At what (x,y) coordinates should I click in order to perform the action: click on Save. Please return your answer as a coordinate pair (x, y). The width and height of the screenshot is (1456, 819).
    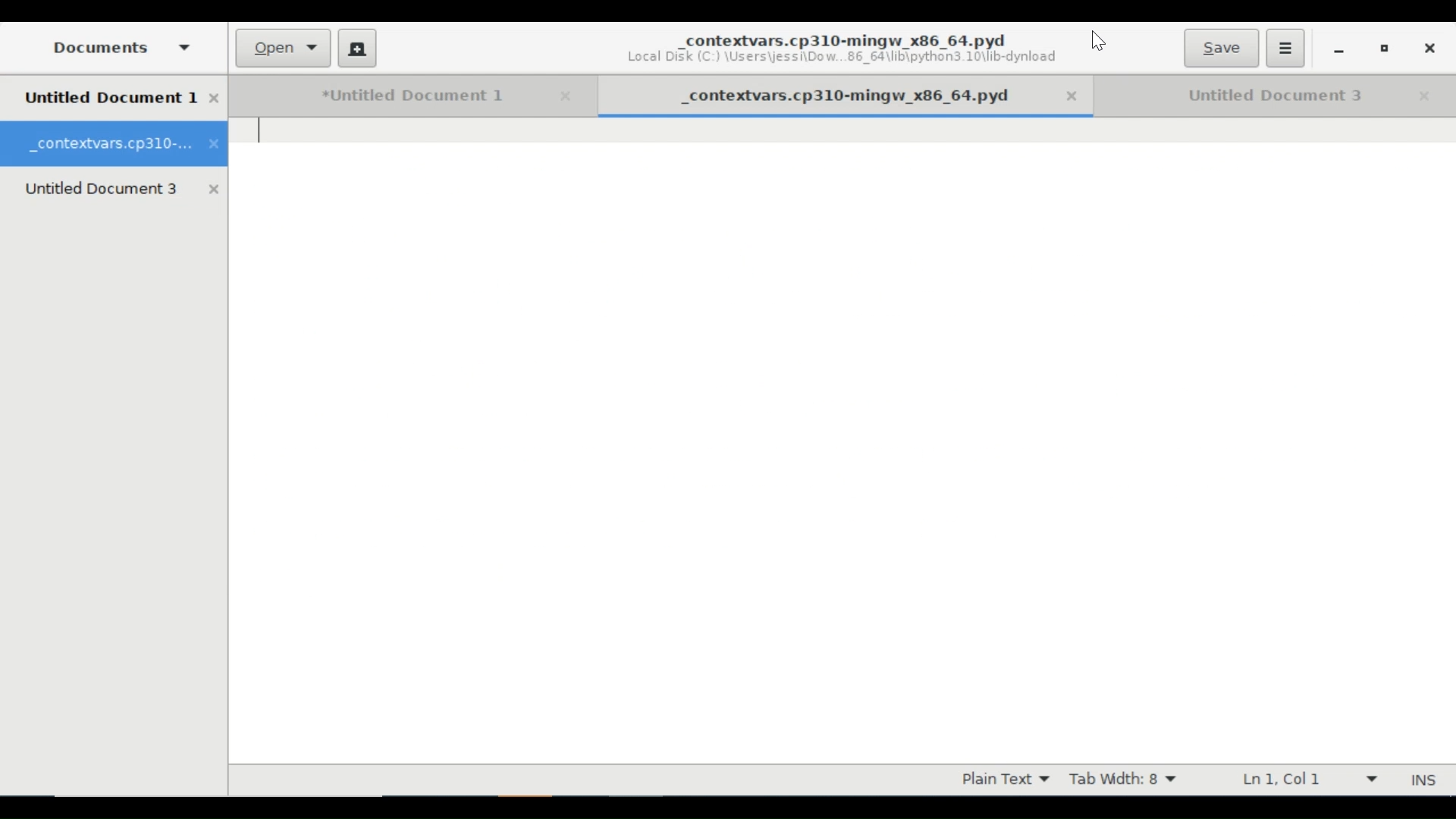
    Looking at the image, I should click on (1220, 48).